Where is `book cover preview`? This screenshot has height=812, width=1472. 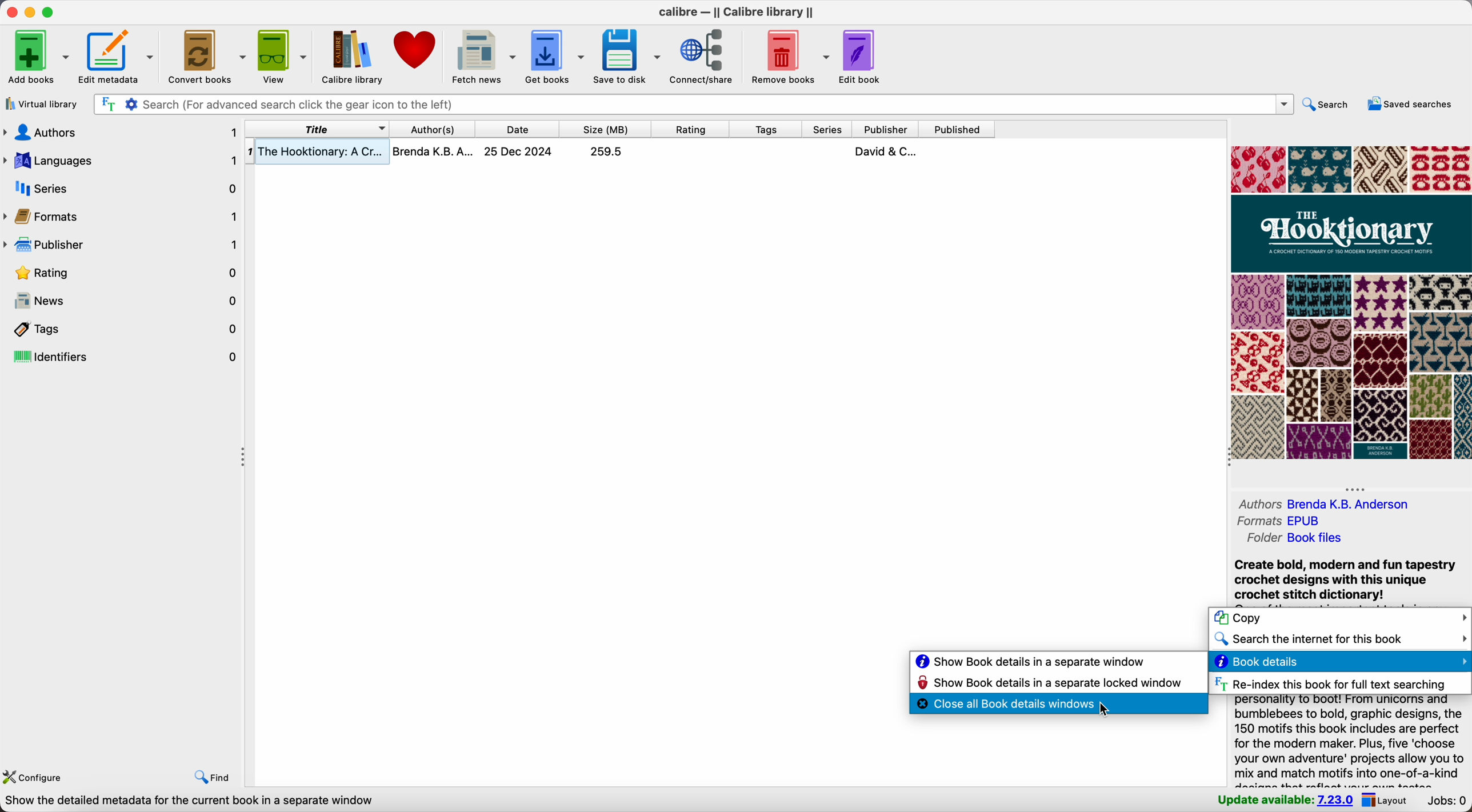 book cover preview is located at coordinates (1350, 303).